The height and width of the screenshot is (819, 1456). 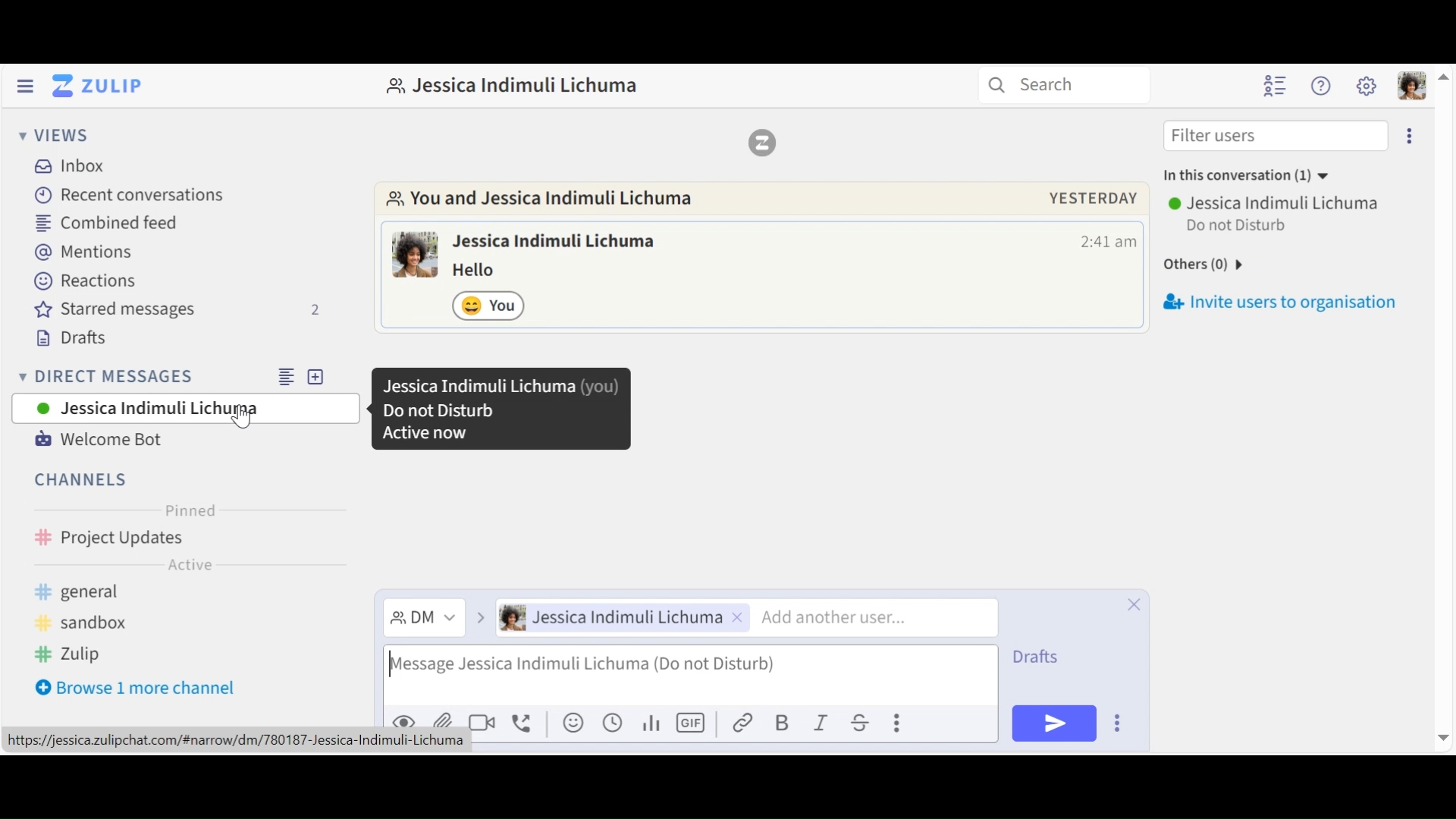 I want to click on eclipse, so click(x=1412, y=135).